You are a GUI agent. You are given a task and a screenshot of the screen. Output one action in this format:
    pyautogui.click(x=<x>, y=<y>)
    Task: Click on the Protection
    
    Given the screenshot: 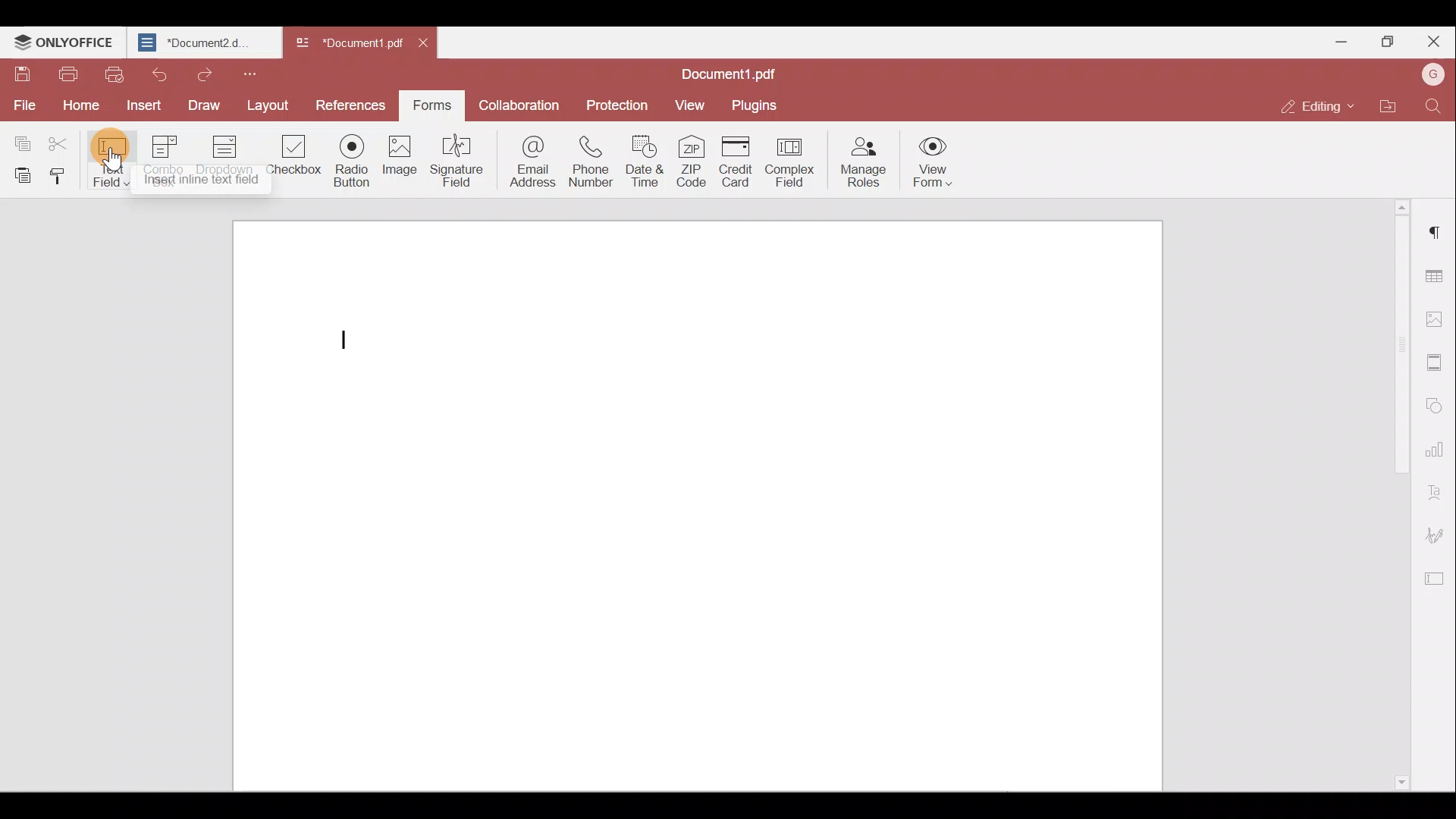 What is the action you would take?
    pyautogui.click(x=622, y=104)
    